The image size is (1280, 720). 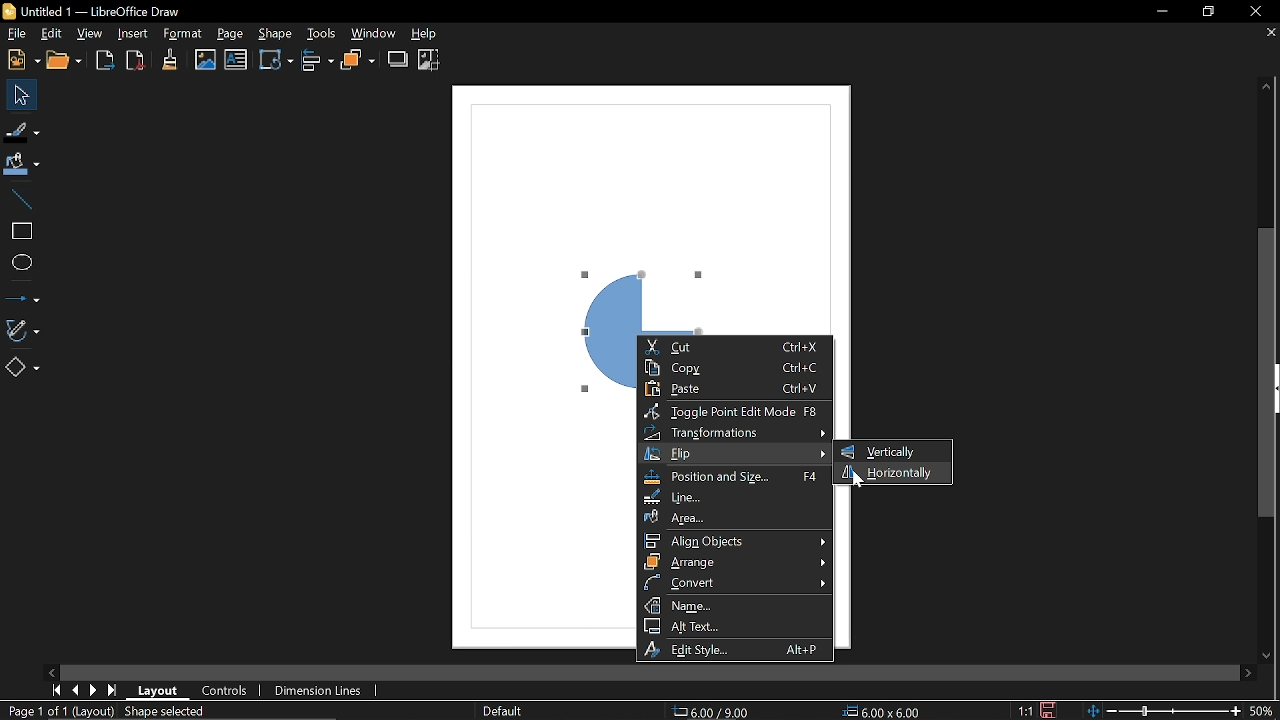 What do you see at coordinates (227, 34) in the screenshot?
I see `Page` at bounding box center [227, 34].